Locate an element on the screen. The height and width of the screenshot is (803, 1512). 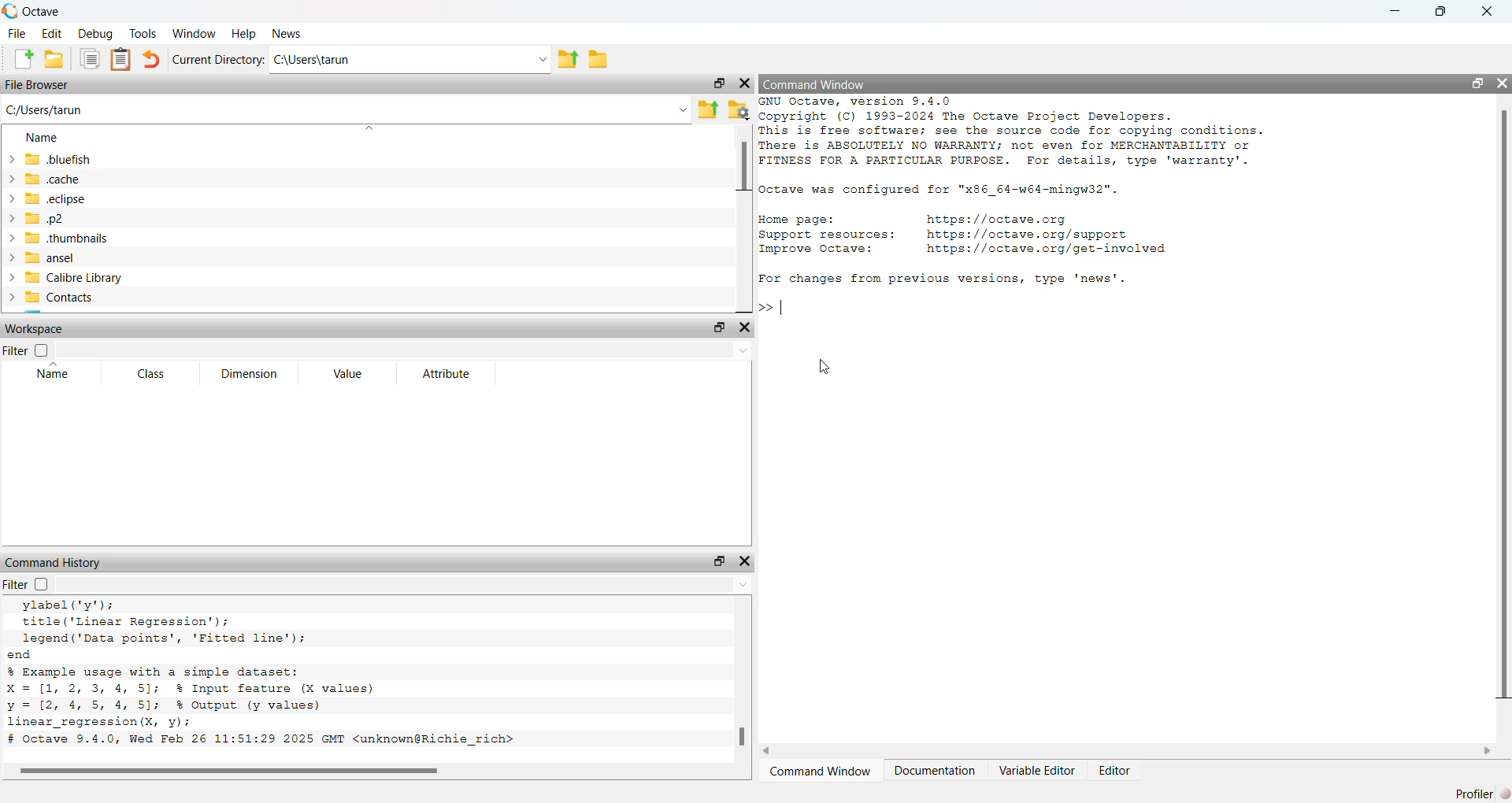
octave configuration is located at coordinates (950, 188).